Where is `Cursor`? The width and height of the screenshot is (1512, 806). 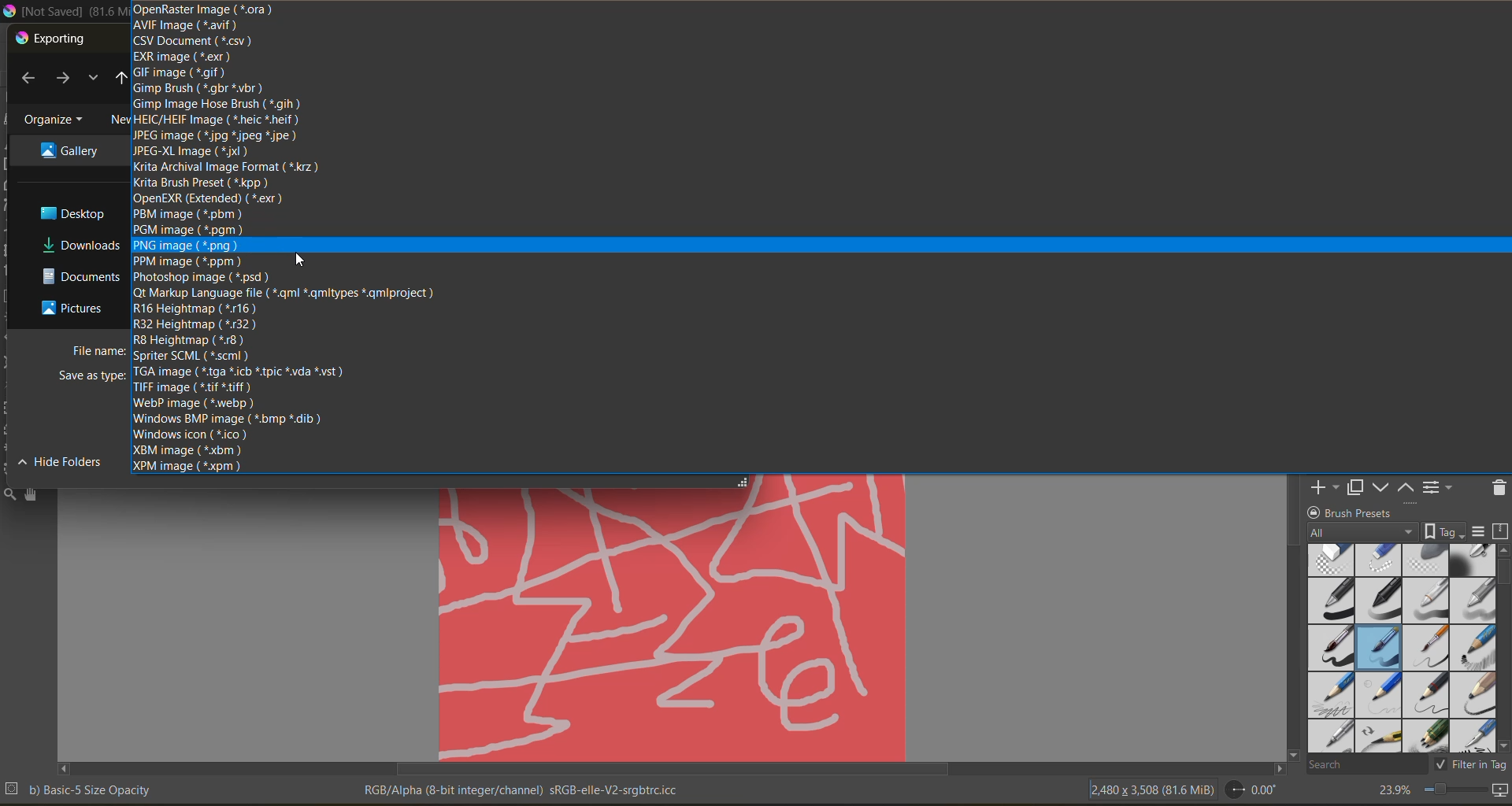 Cursor is located at coordinates (297, 261).